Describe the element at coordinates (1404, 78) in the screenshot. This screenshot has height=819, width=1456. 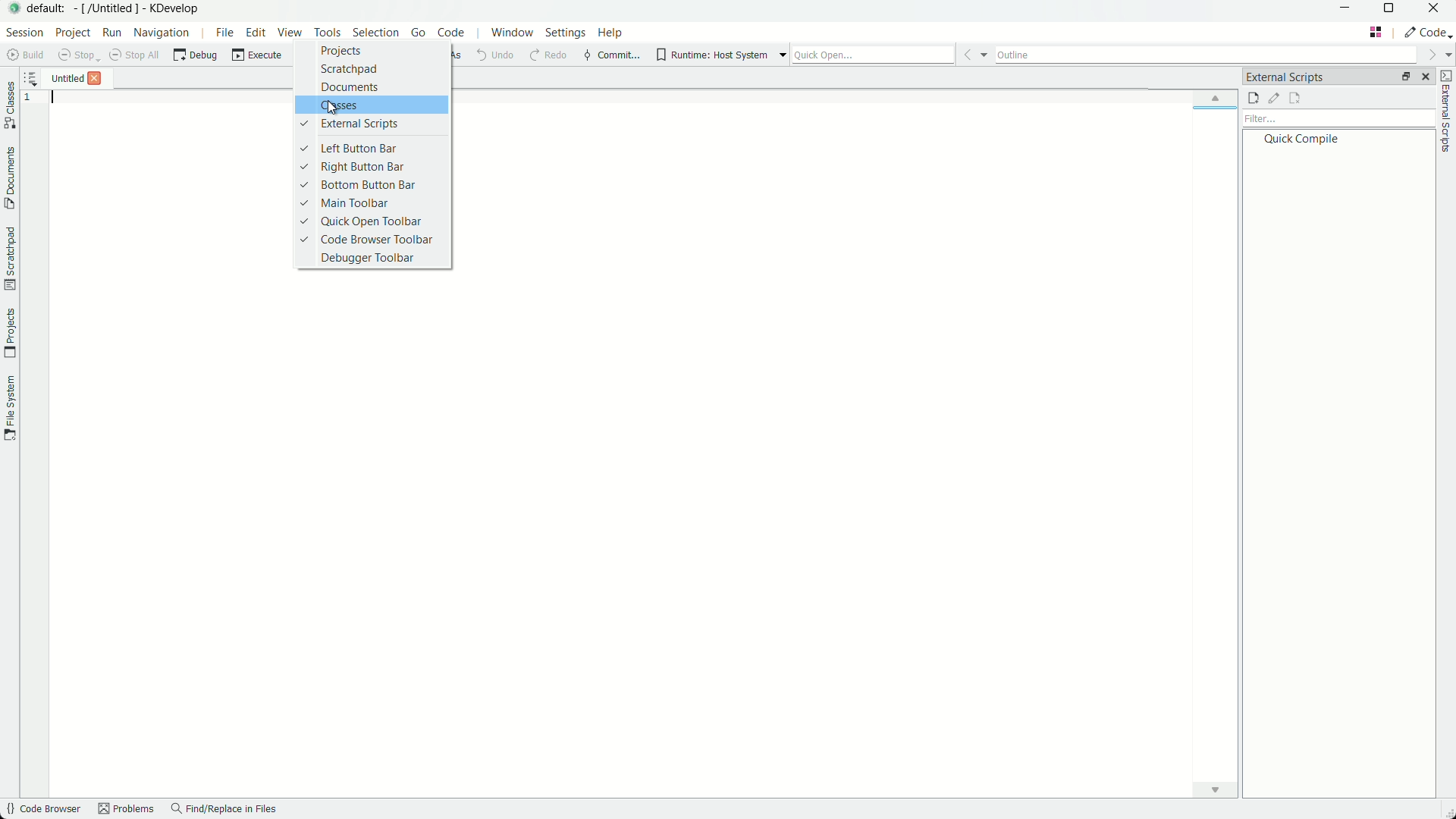
I see `change tab layout` at that location.